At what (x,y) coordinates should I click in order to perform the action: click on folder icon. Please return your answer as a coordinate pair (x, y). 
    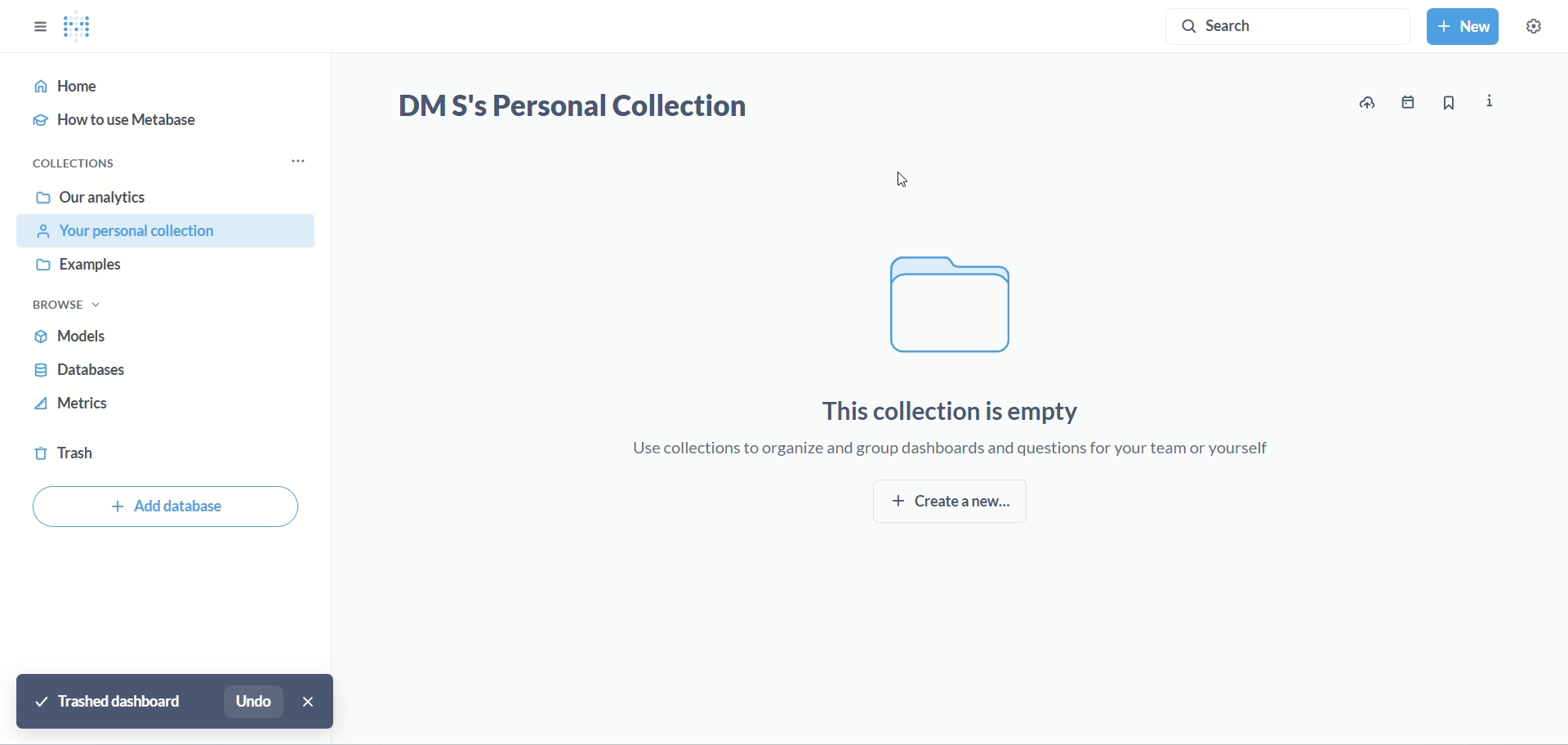
    Looking at the image, I should click on (947, 305).